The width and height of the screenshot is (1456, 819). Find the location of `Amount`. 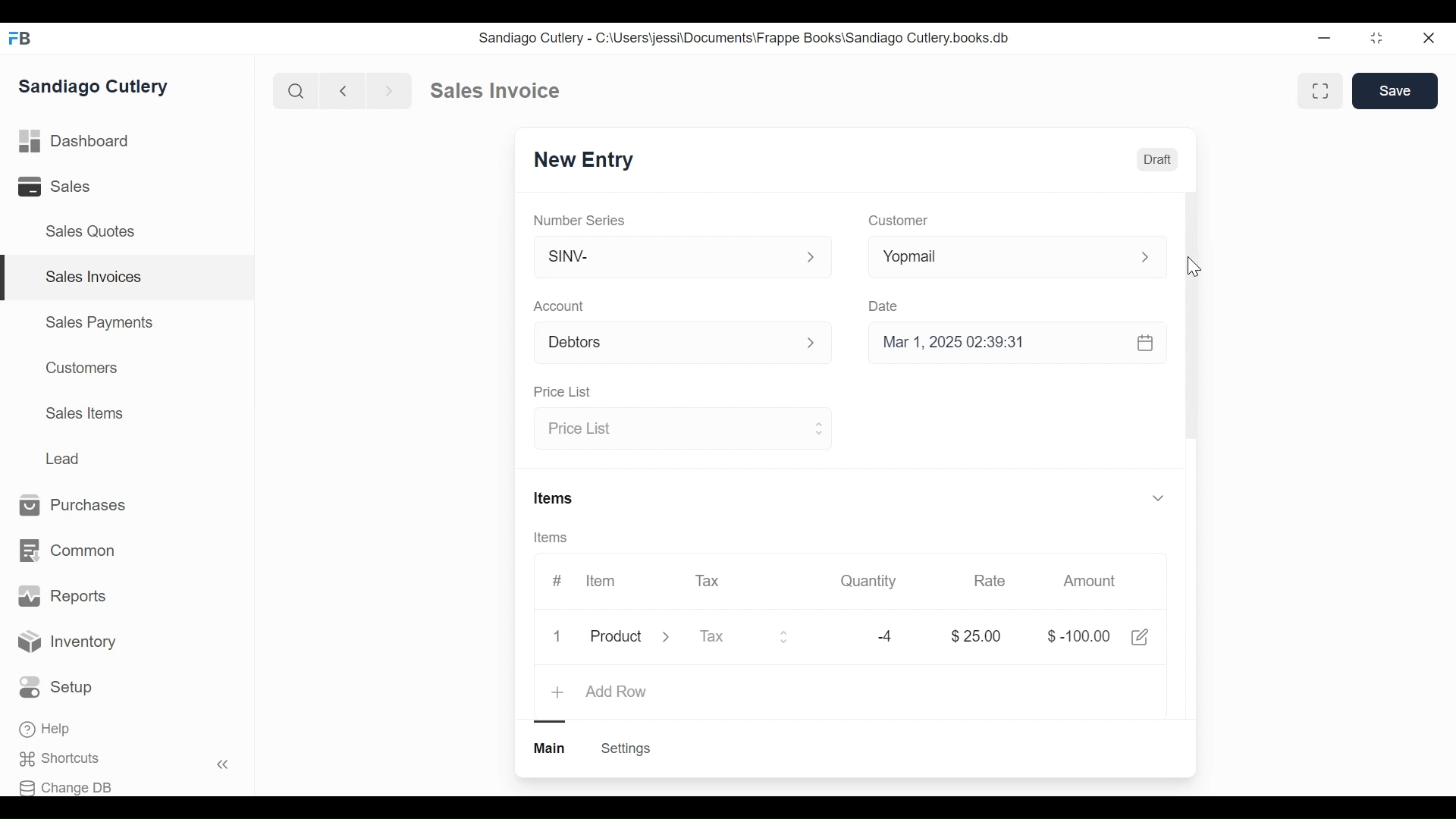

Amount is located at coordinates (1090, 582).